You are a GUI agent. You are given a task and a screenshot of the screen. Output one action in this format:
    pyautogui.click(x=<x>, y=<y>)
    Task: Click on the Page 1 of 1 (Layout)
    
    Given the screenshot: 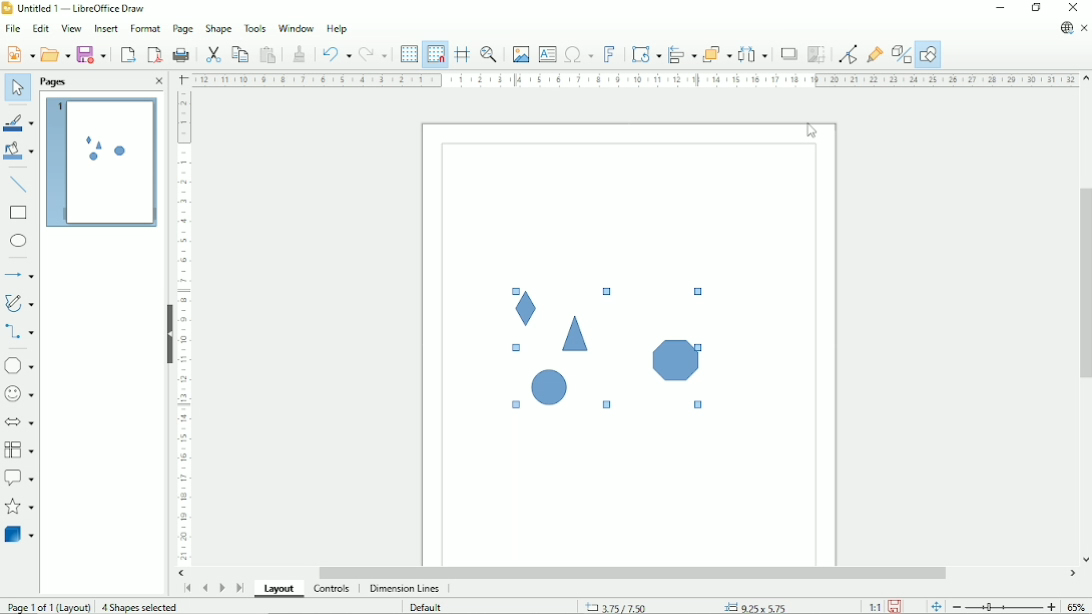 What is the action you would take?
    pyautogui.click(x=48, y=606)
    